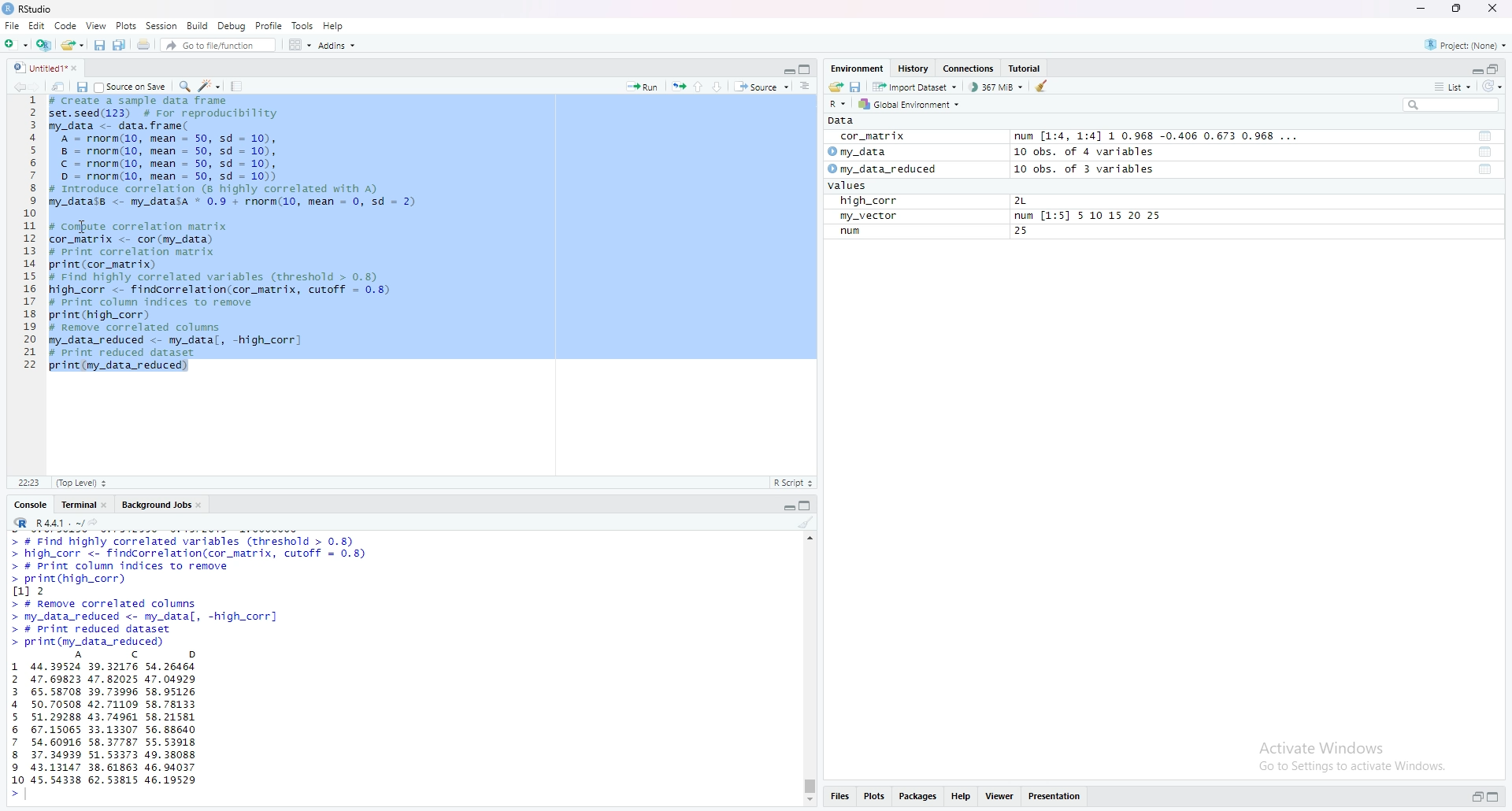  I want to click on maximise, so click(1458, 8).